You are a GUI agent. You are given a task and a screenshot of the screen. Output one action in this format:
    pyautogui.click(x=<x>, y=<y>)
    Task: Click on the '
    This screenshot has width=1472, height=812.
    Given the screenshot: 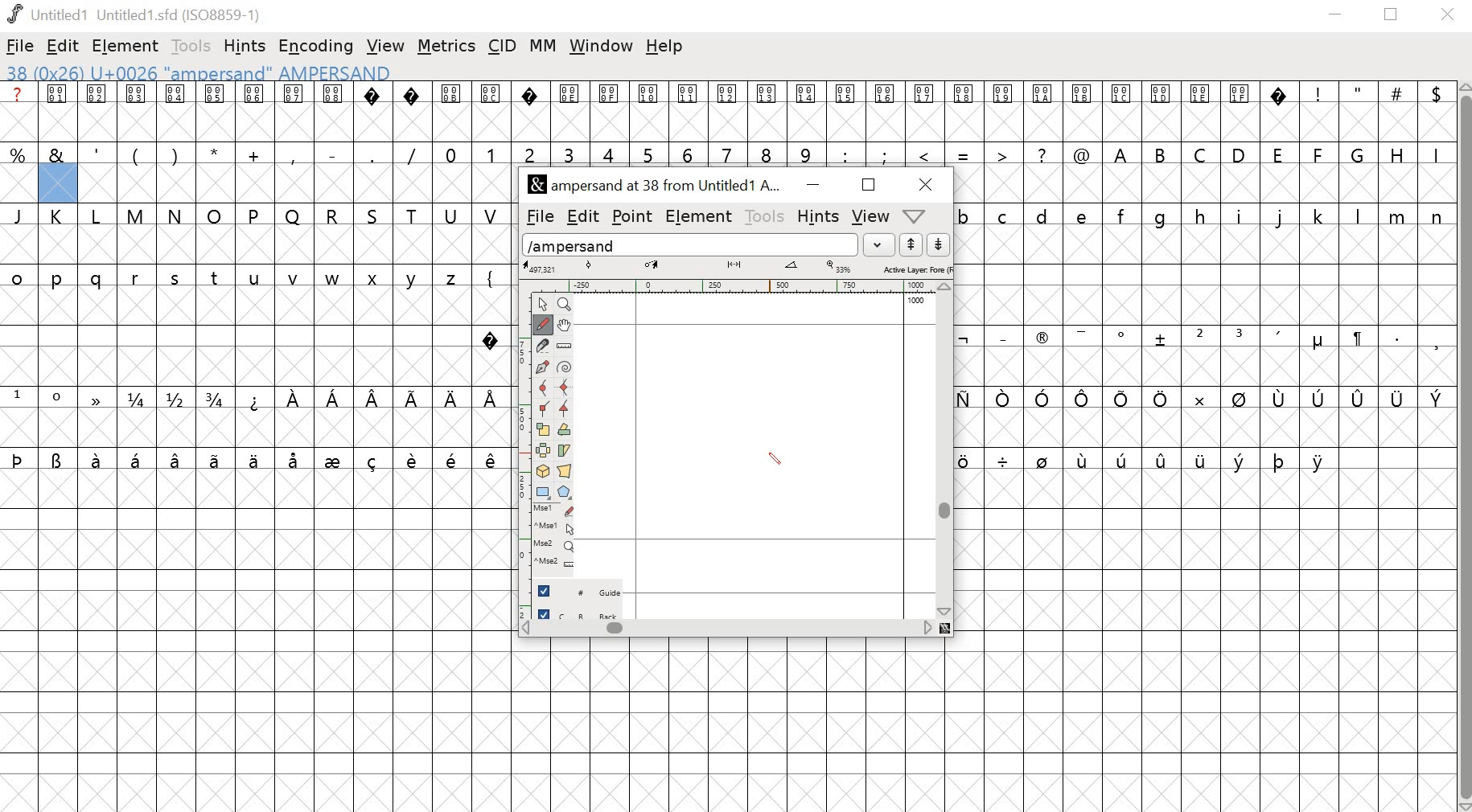 What is the action you would take?
    pyautogui.click(x=1281, y=338)
    